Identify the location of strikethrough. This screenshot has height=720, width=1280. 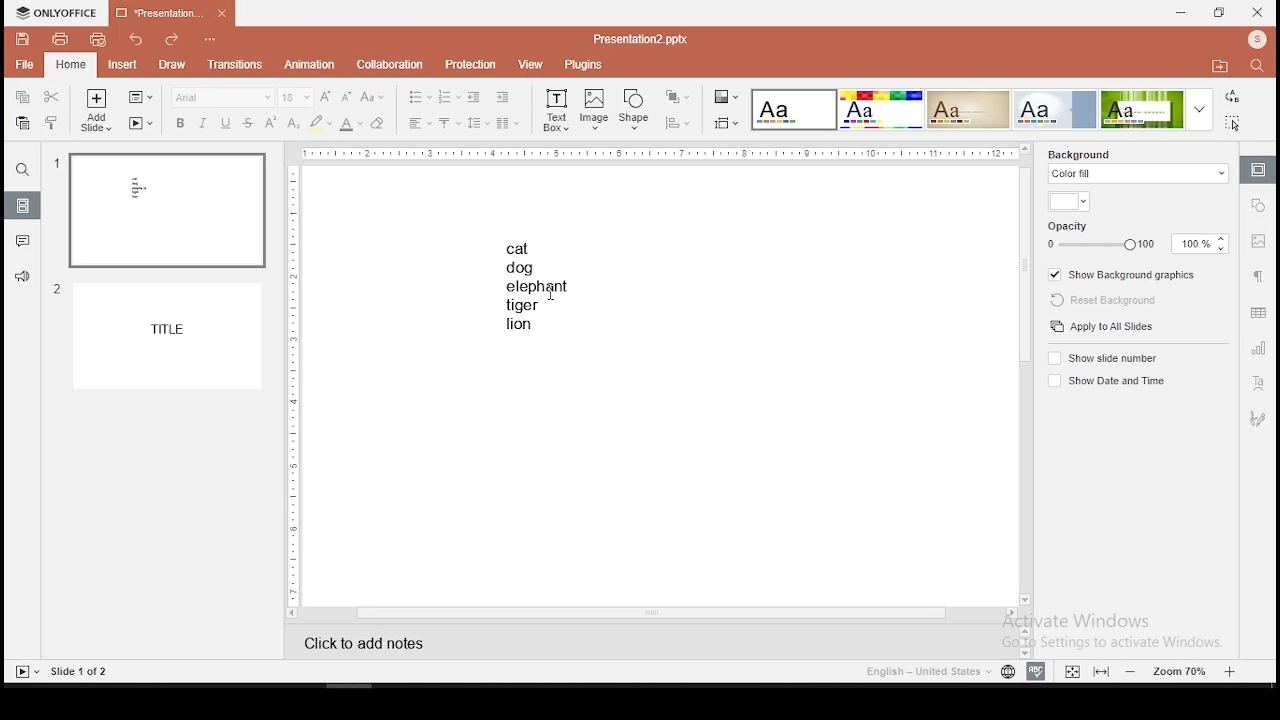
(248, 122).